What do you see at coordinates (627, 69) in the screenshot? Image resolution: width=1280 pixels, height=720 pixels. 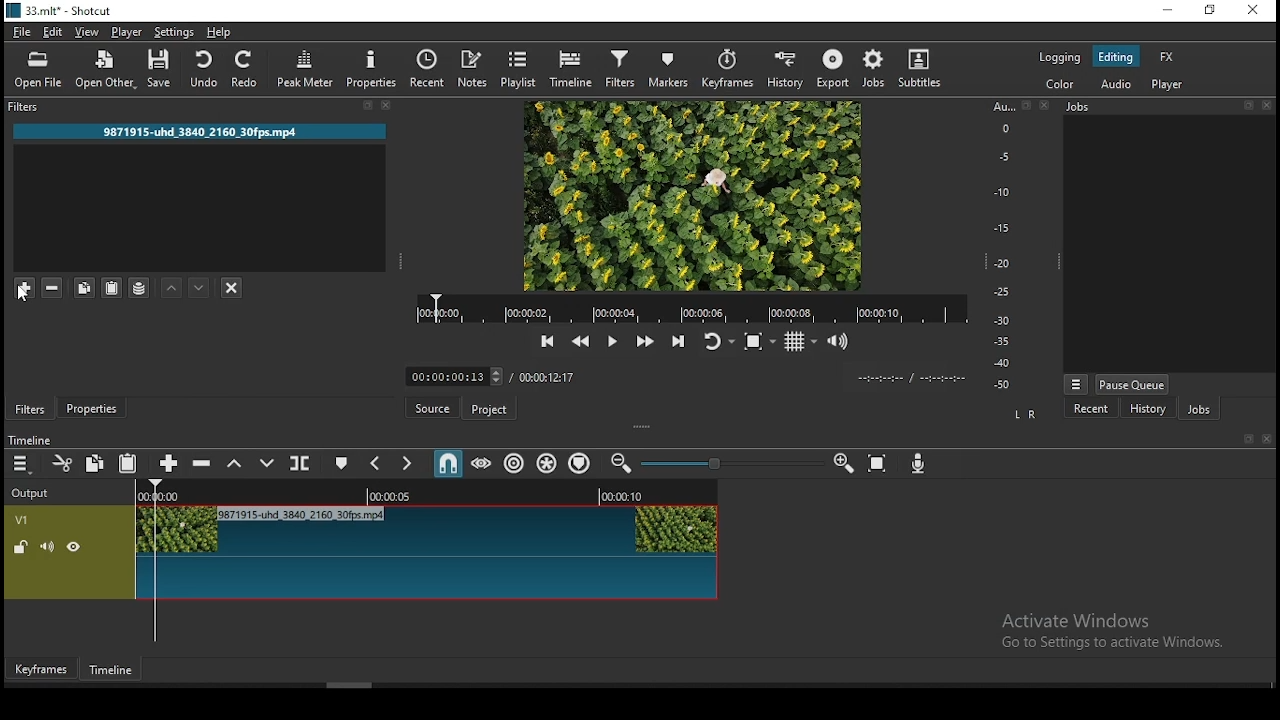 I see `filters` at bounding box center [627, 69].